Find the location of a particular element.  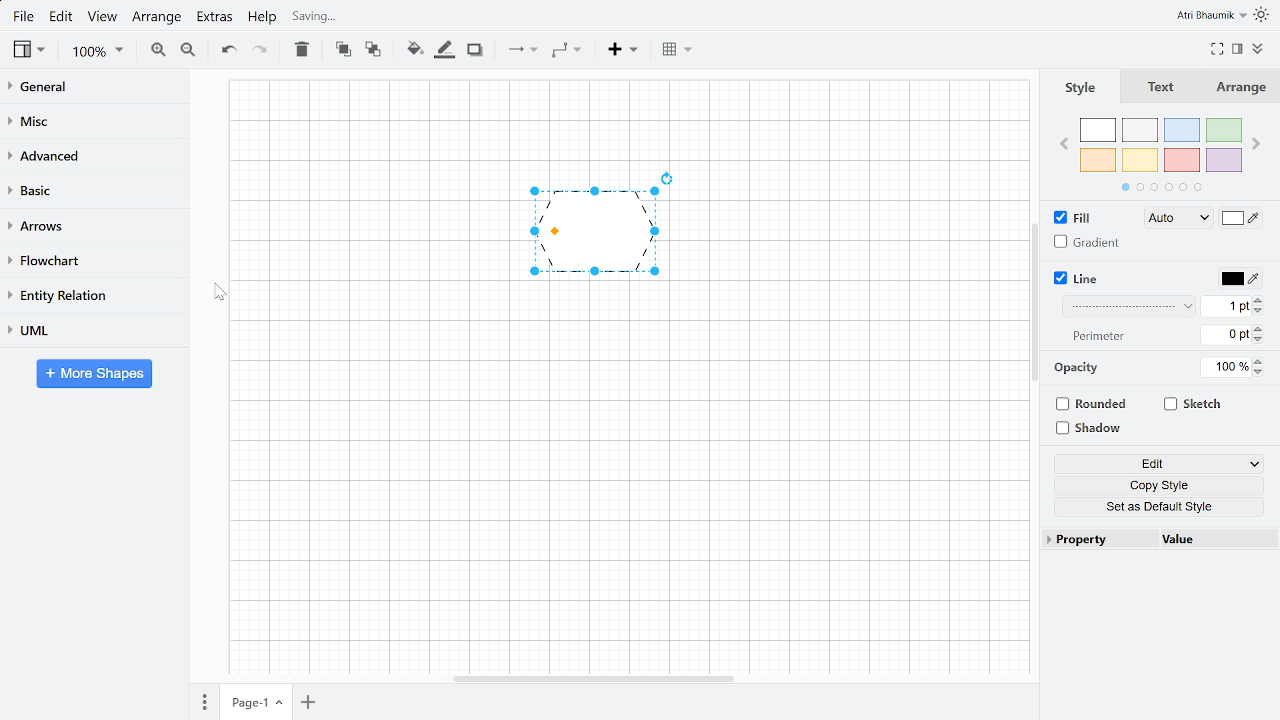

Connection is located at coordinates (519, 53).